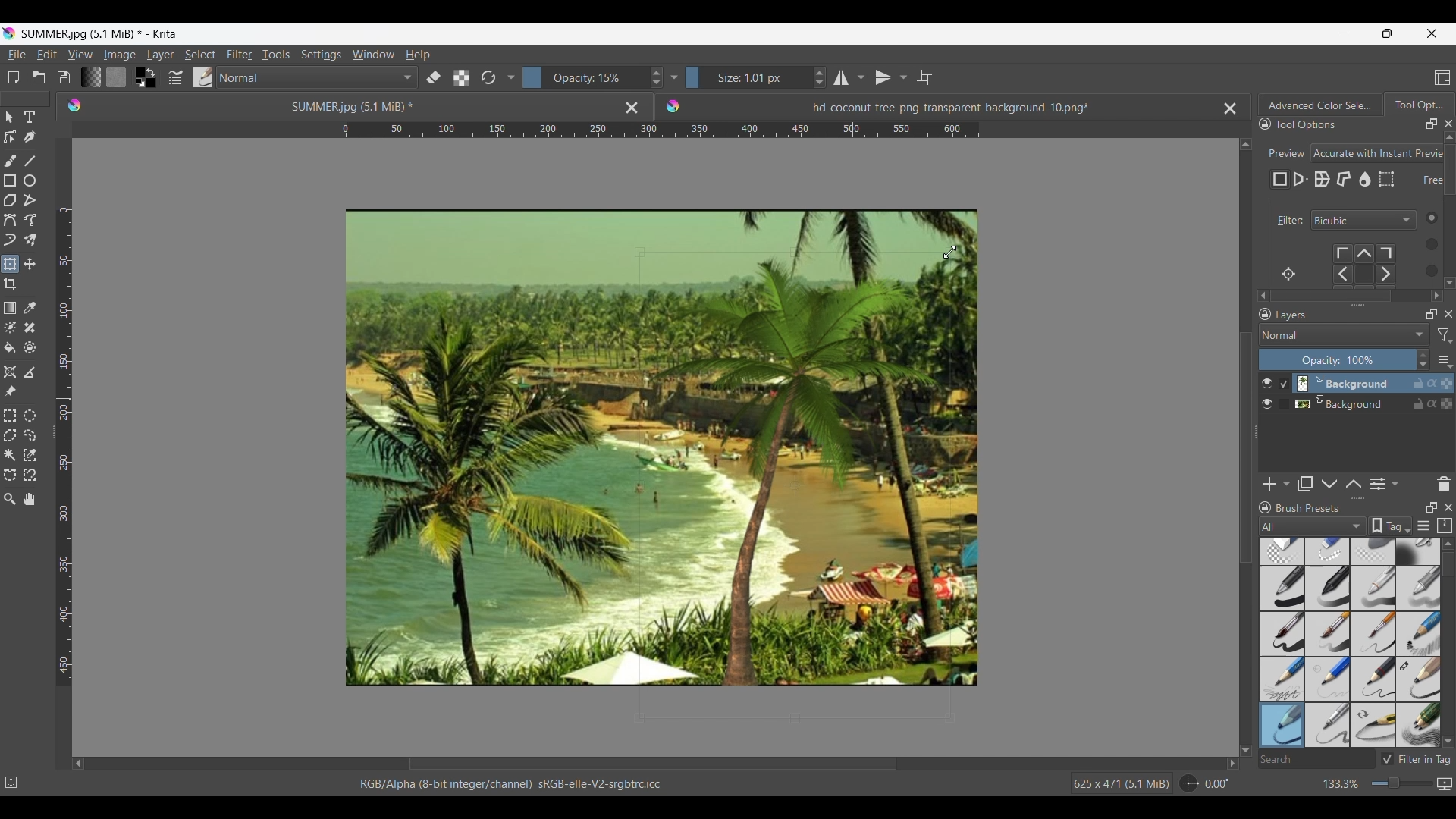 The height and width of the screenshot is (819, 1456). Describe the element at coordinates (518, 784) in the screenshot. I see `RGB/Alpha (8-bit integer/channel) sRGB-elle-V2-srgbtrc.icc` at that location.